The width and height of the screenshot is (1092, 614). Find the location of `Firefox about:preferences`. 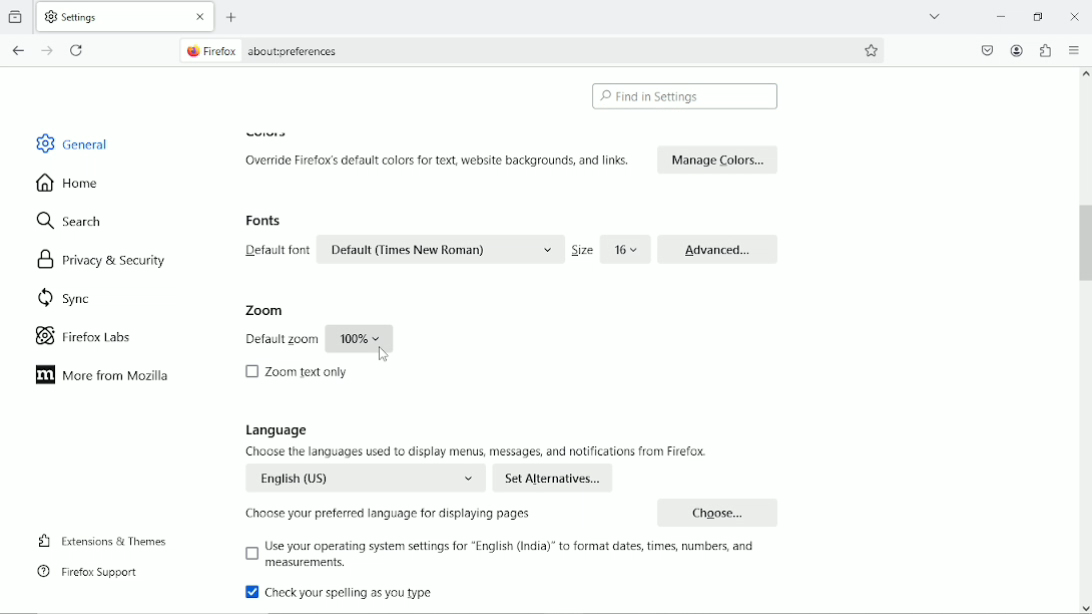

Firefox about:preferences is located at coordinates (278, 50).